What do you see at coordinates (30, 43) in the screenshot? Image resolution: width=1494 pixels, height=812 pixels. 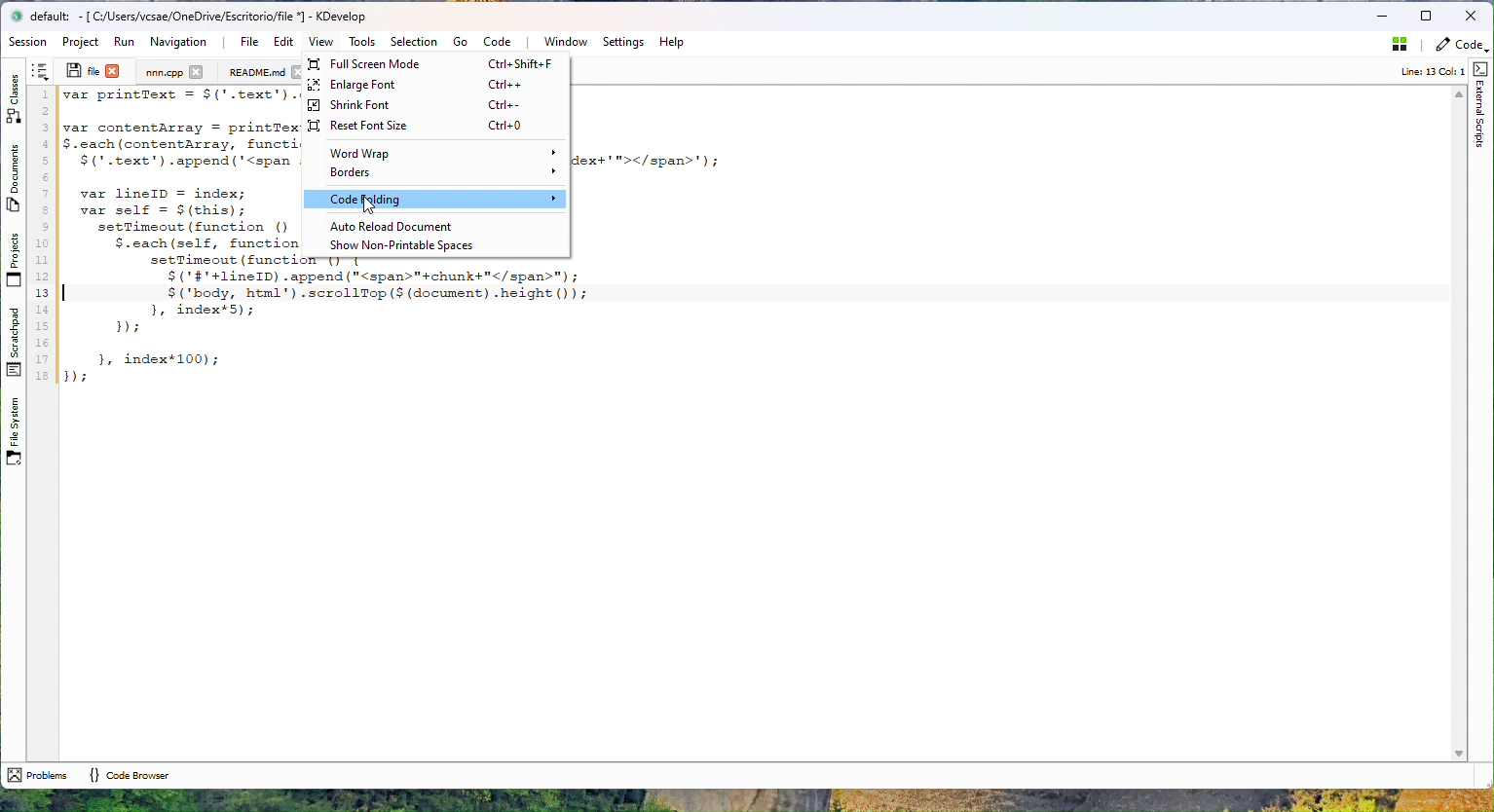 I see `Session` at bounding box center [30, 43].